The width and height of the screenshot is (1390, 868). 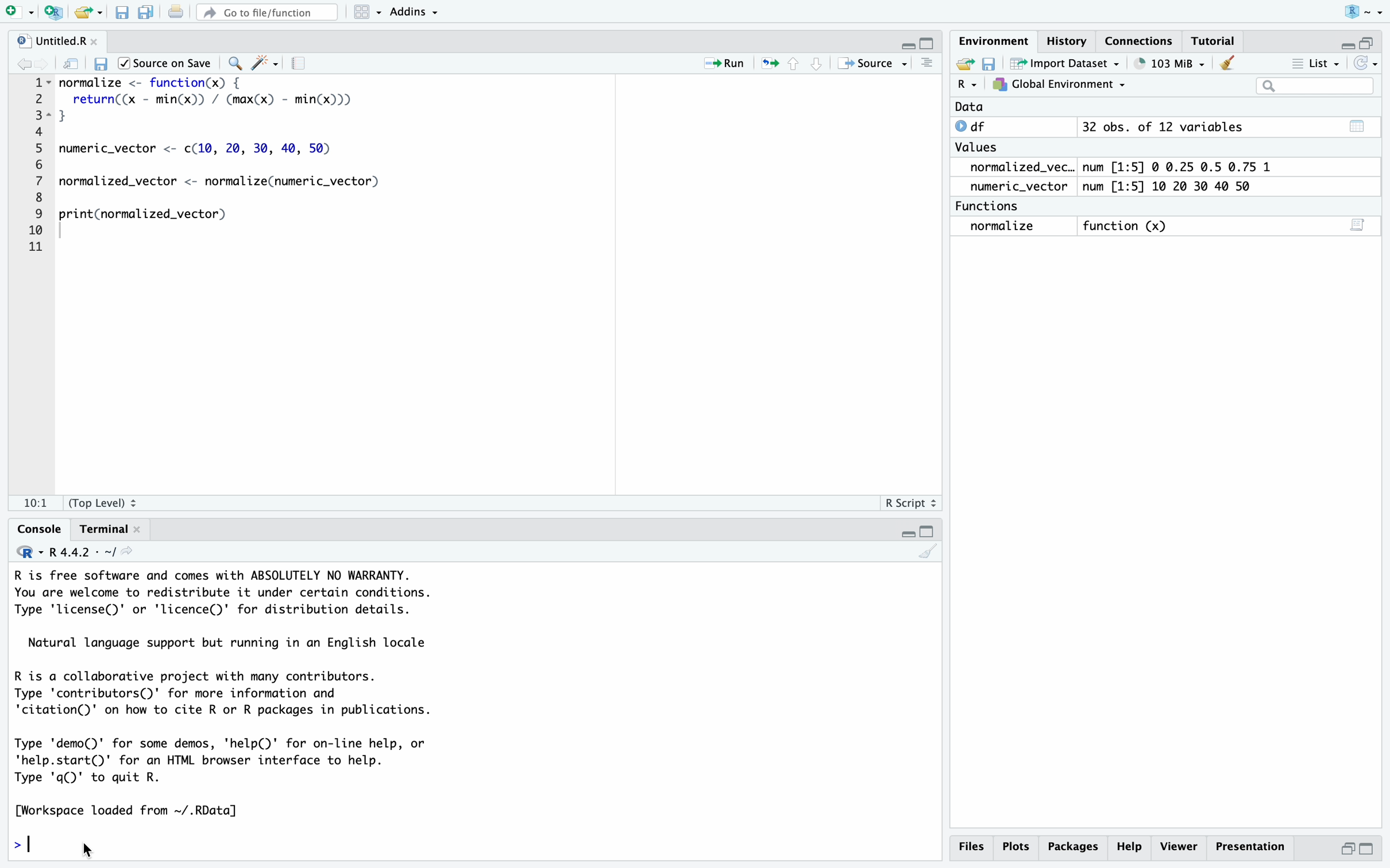 I want to click on Go forward to the next source location (Ctrl + F10), so click(x=43, y=61).